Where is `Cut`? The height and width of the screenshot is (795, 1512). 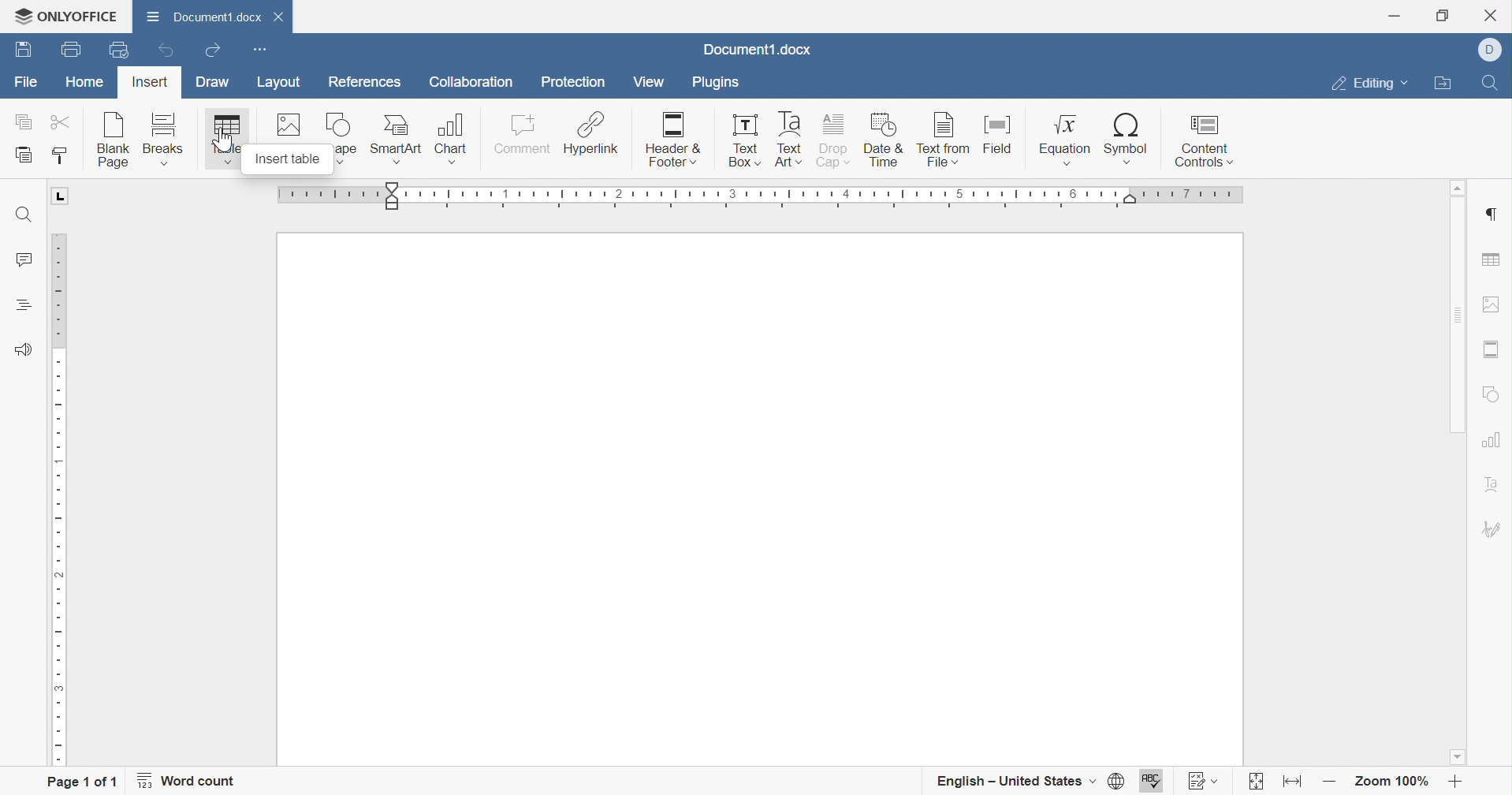
Cut is located at coordinates (62, 121).